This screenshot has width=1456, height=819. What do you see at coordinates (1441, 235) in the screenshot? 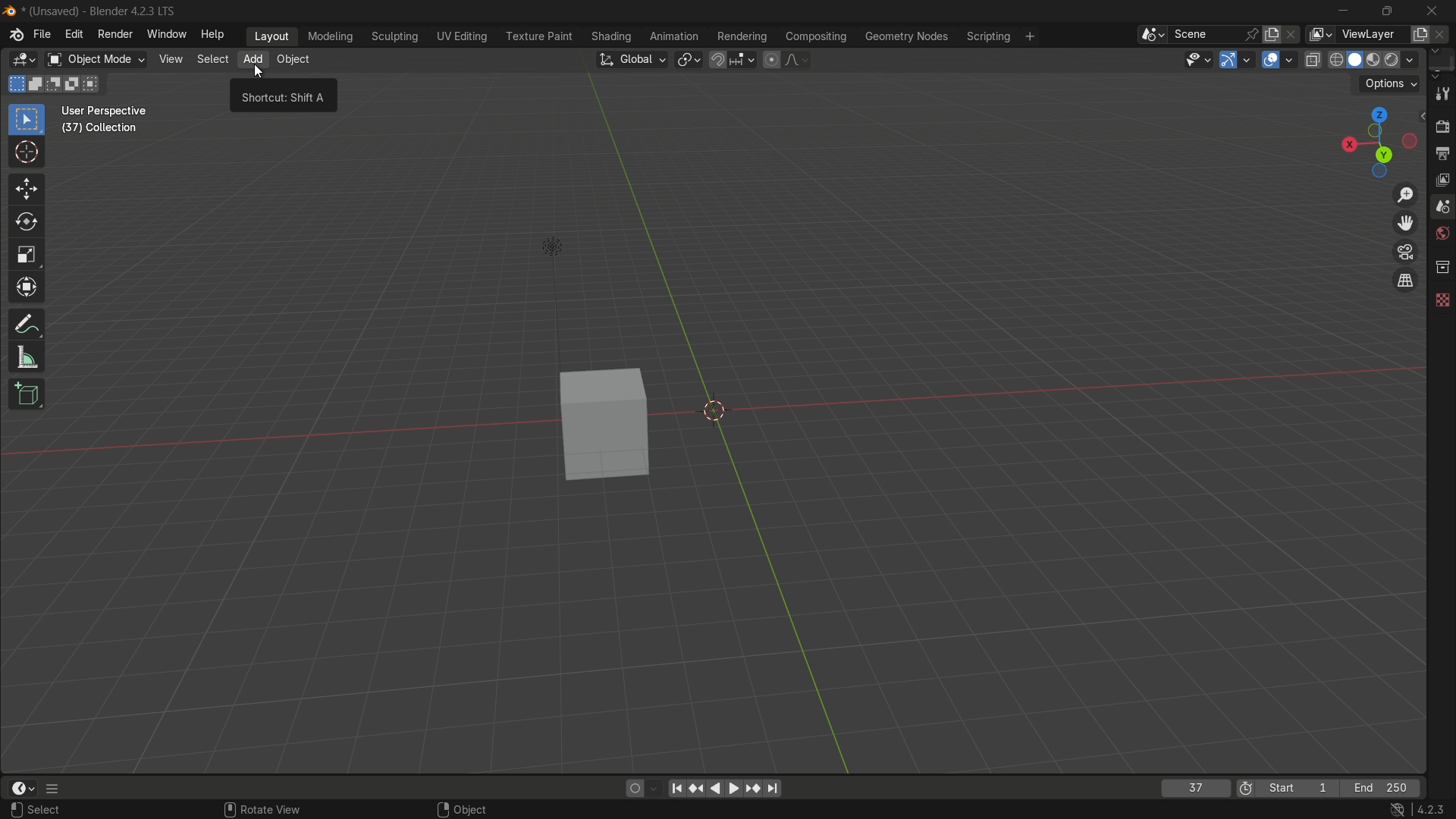
I see `world` at bounding box center [1441, 235].